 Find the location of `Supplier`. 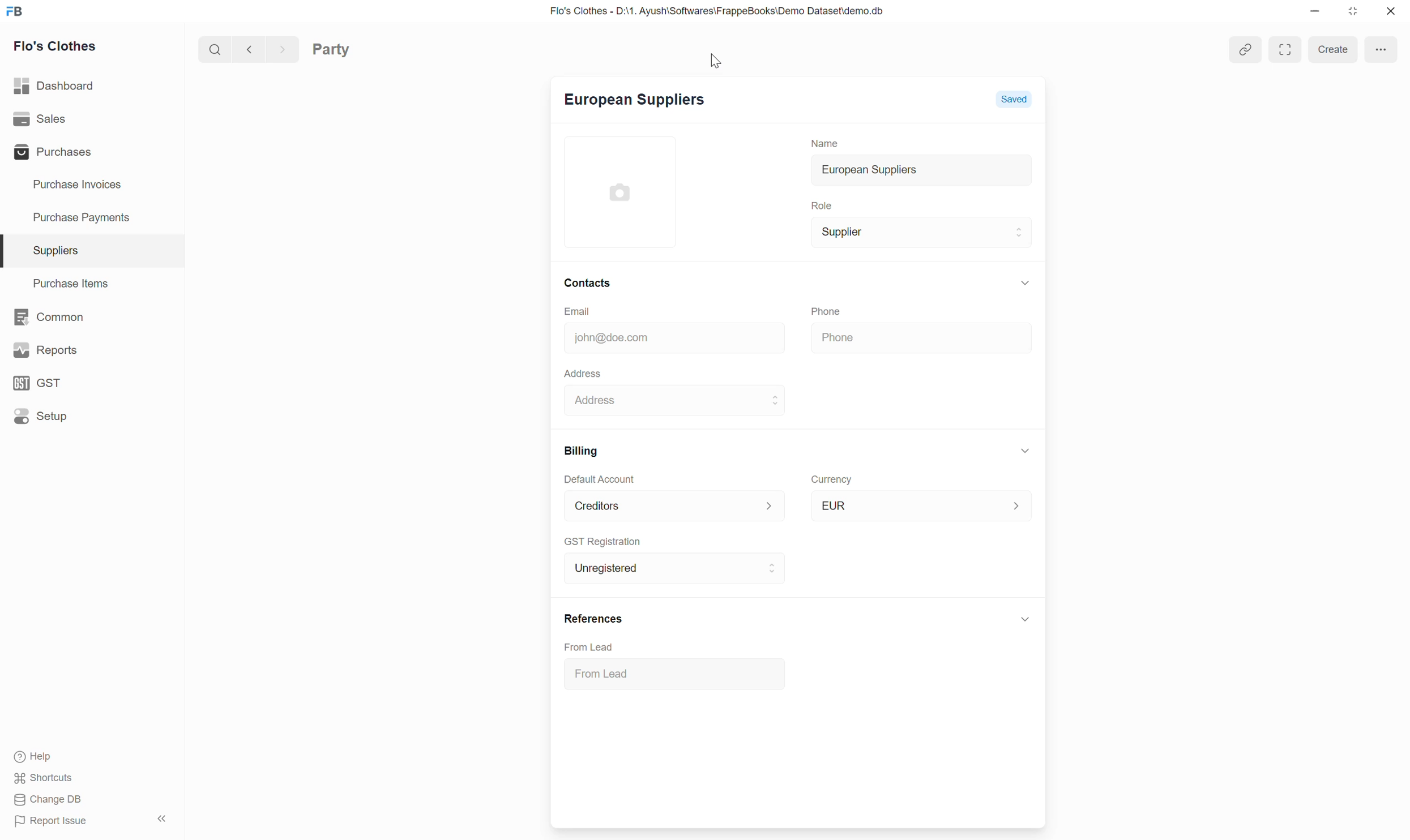

Supplier is located at coordinates (838, 232).